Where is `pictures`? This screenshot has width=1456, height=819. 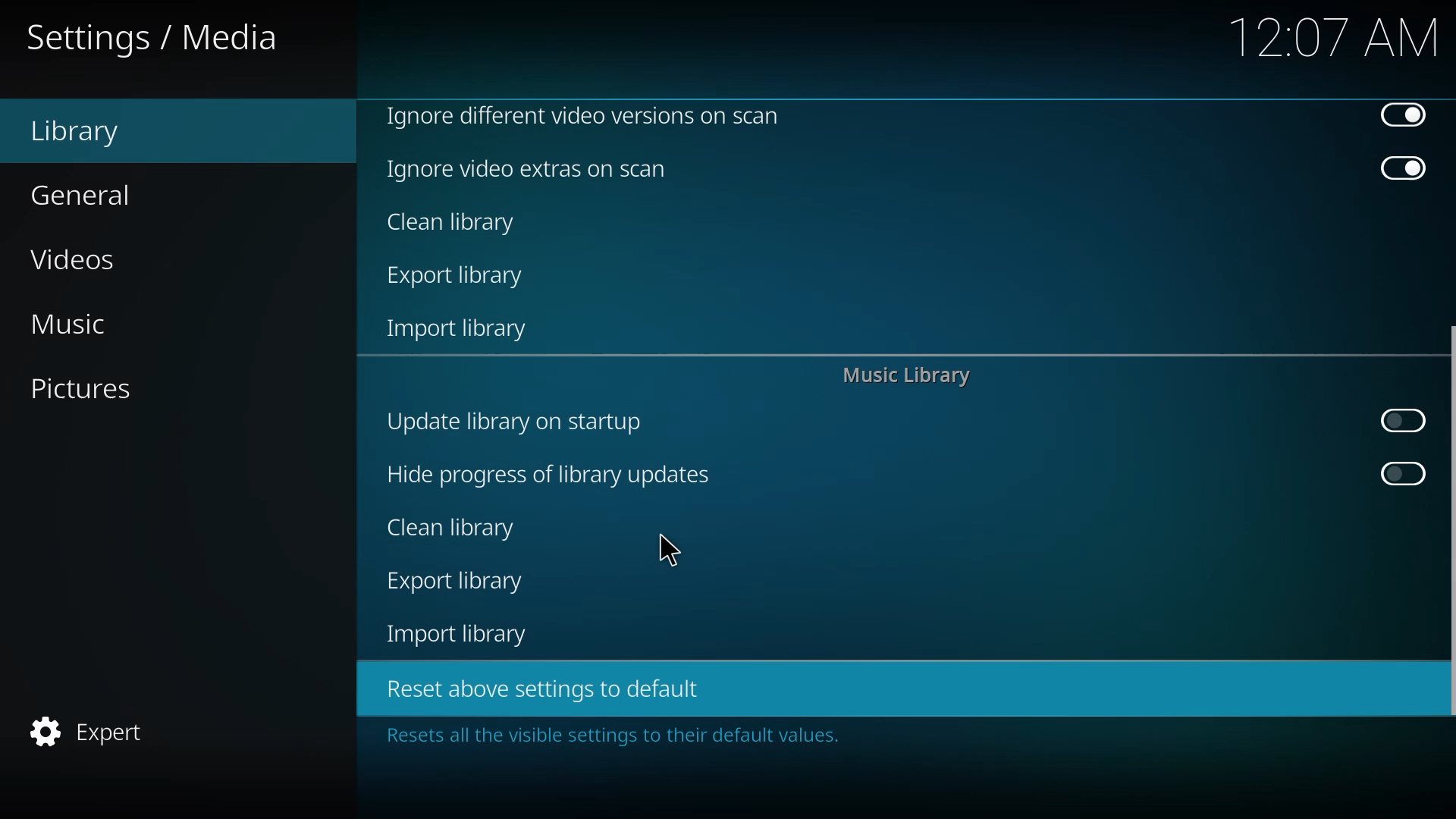 pictures is located at coordinates (78, 388).